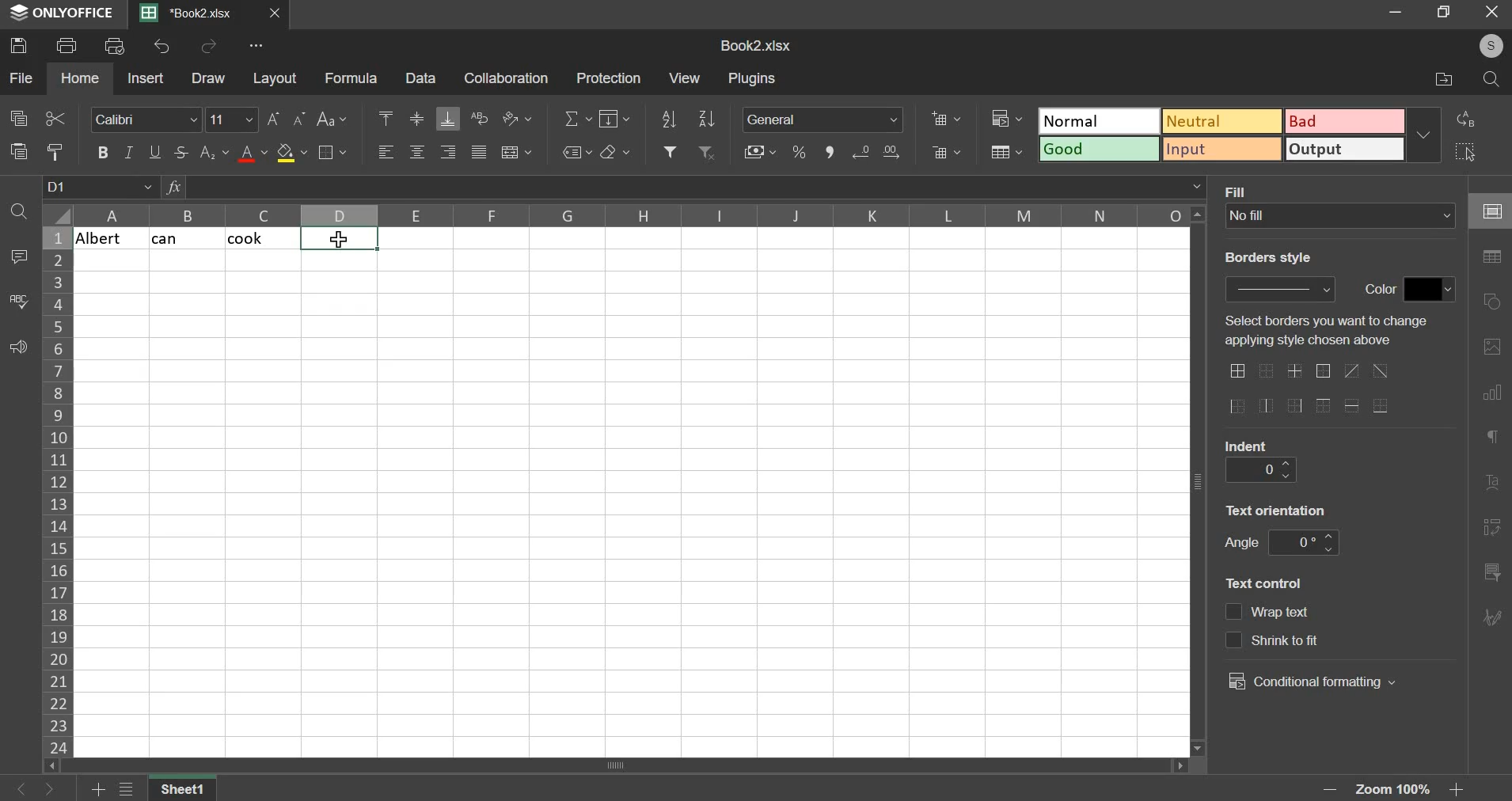 The height and width of the screenshot is (801, 1512). I want to click on sheet name, so click(188, 790).